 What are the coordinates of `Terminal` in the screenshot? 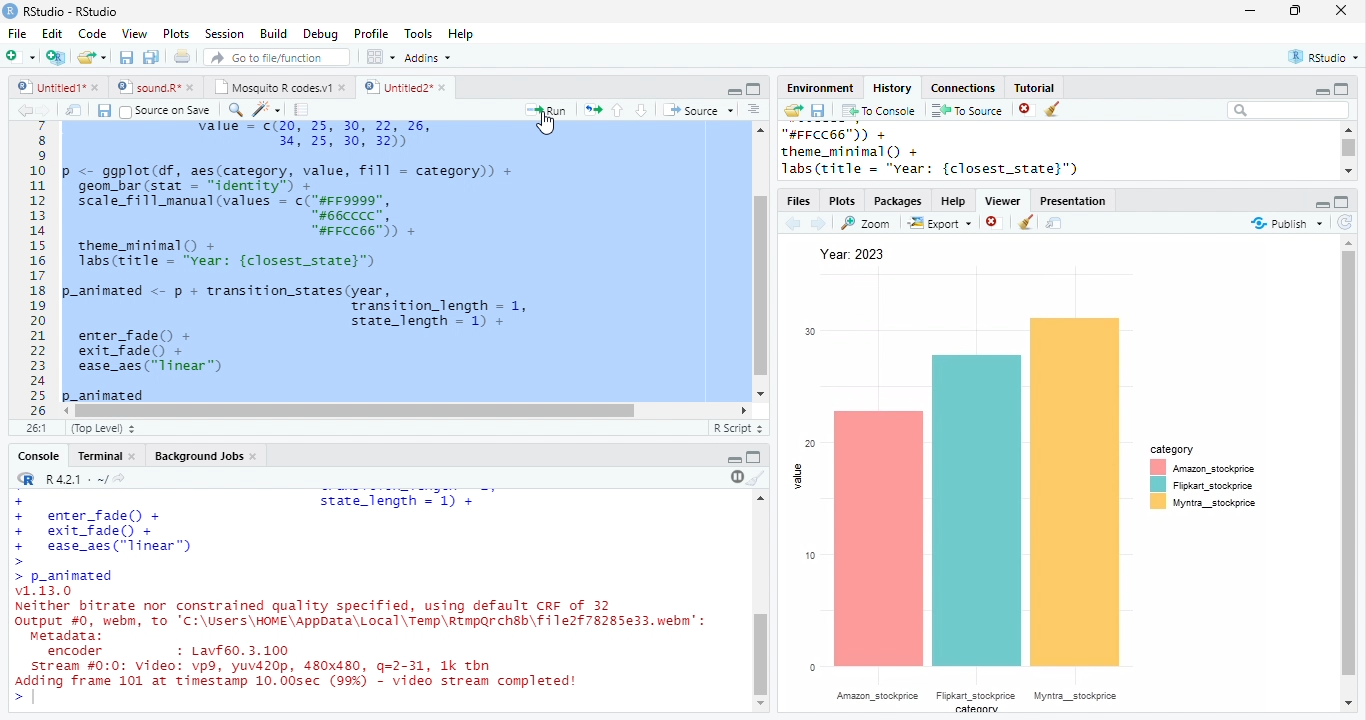 It's located at (98, 456).